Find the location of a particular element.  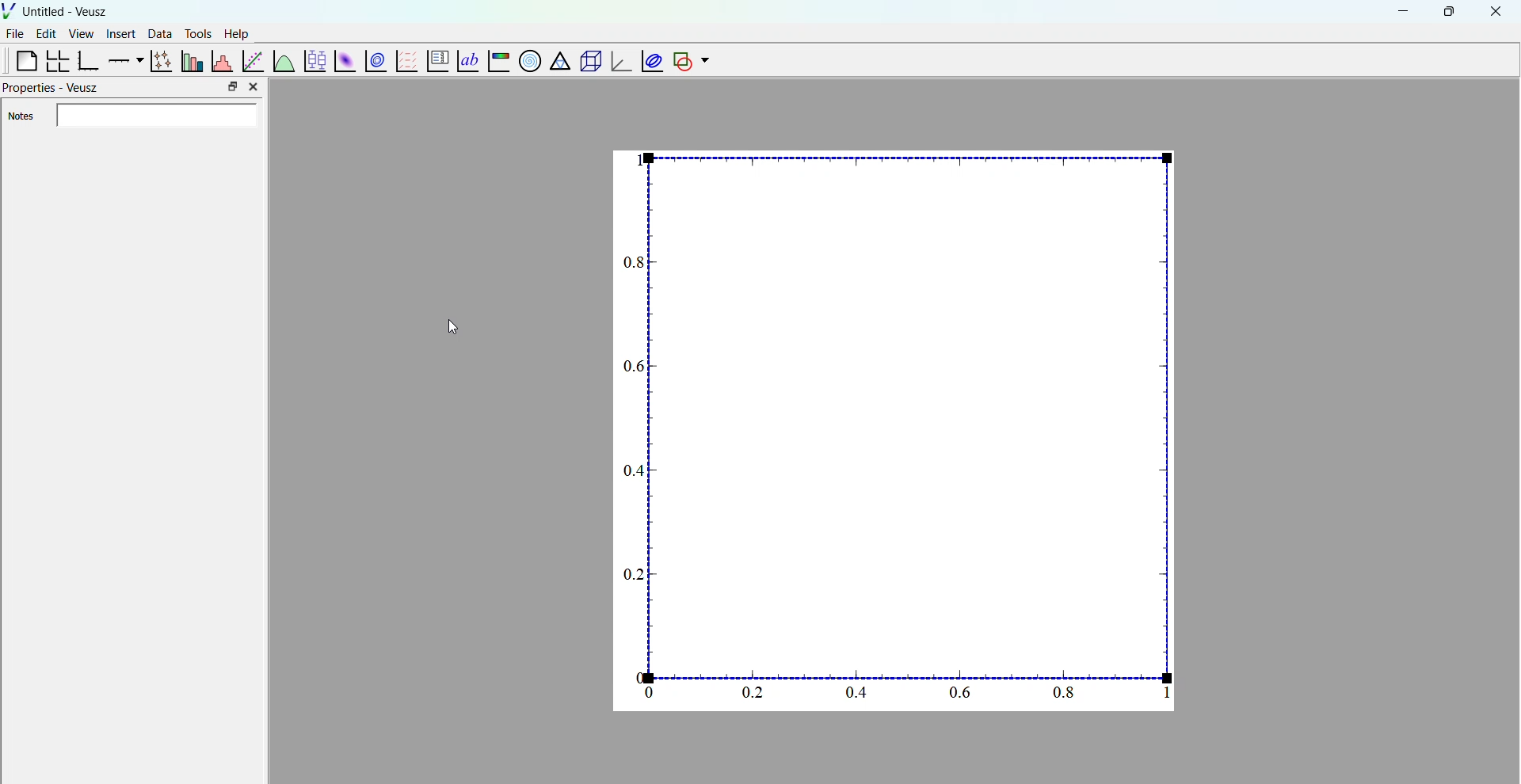

add a shape to the plot is located at coordinates (681, 61).